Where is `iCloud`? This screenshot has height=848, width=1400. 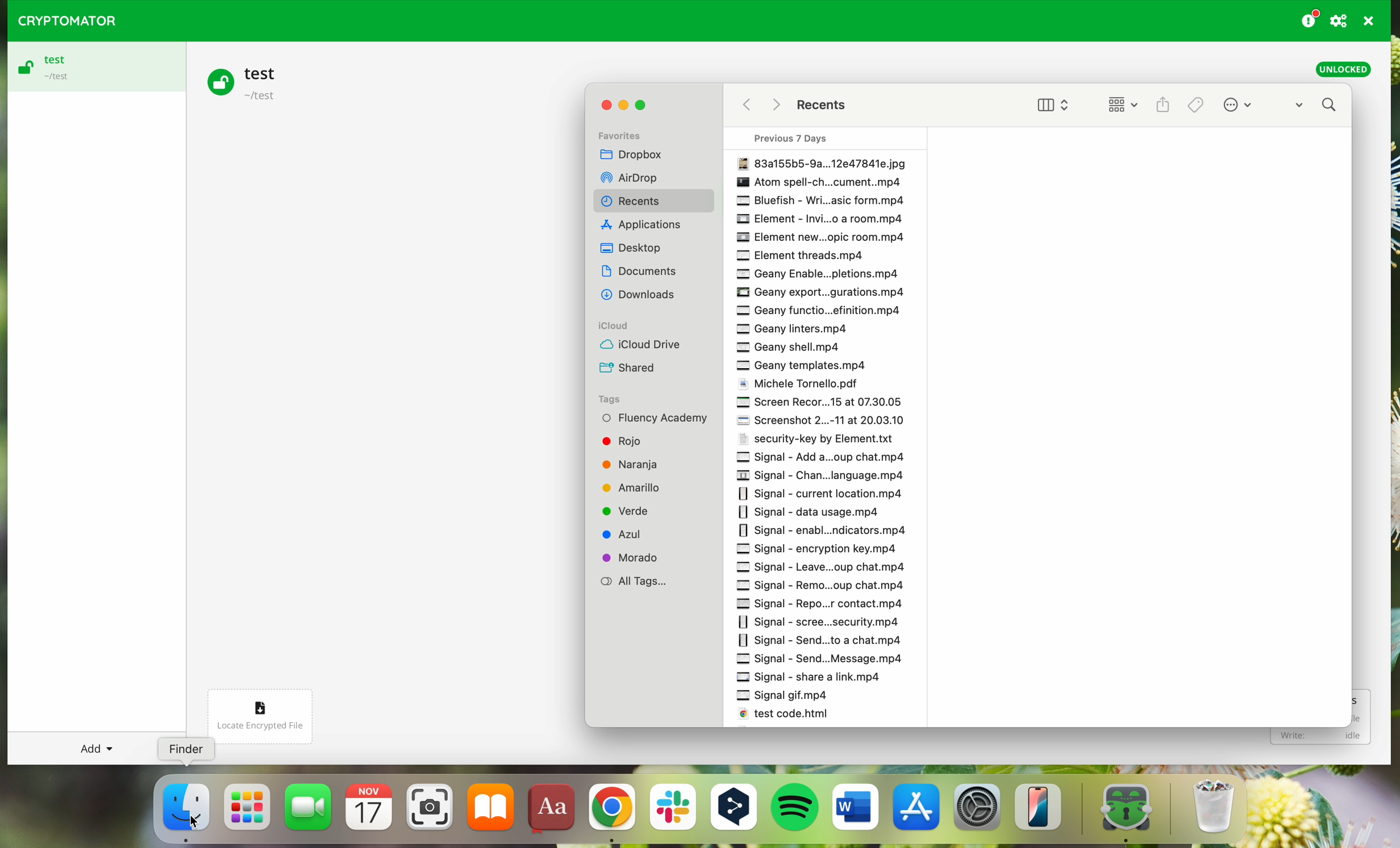 iCloud is located at coordinates (619, 325).